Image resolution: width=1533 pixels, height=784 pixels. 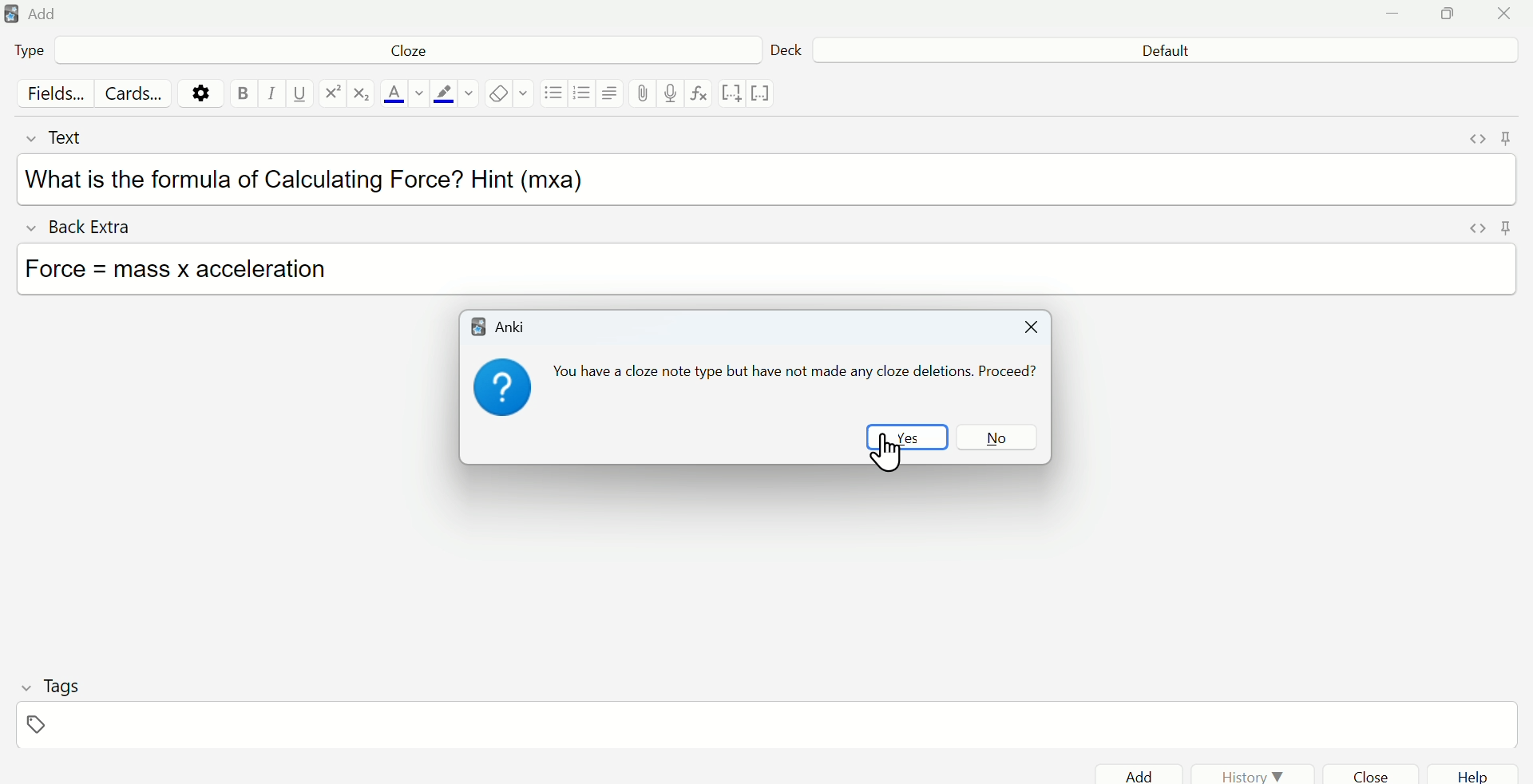 I want to click on Font color, so click(x=401, y=95).